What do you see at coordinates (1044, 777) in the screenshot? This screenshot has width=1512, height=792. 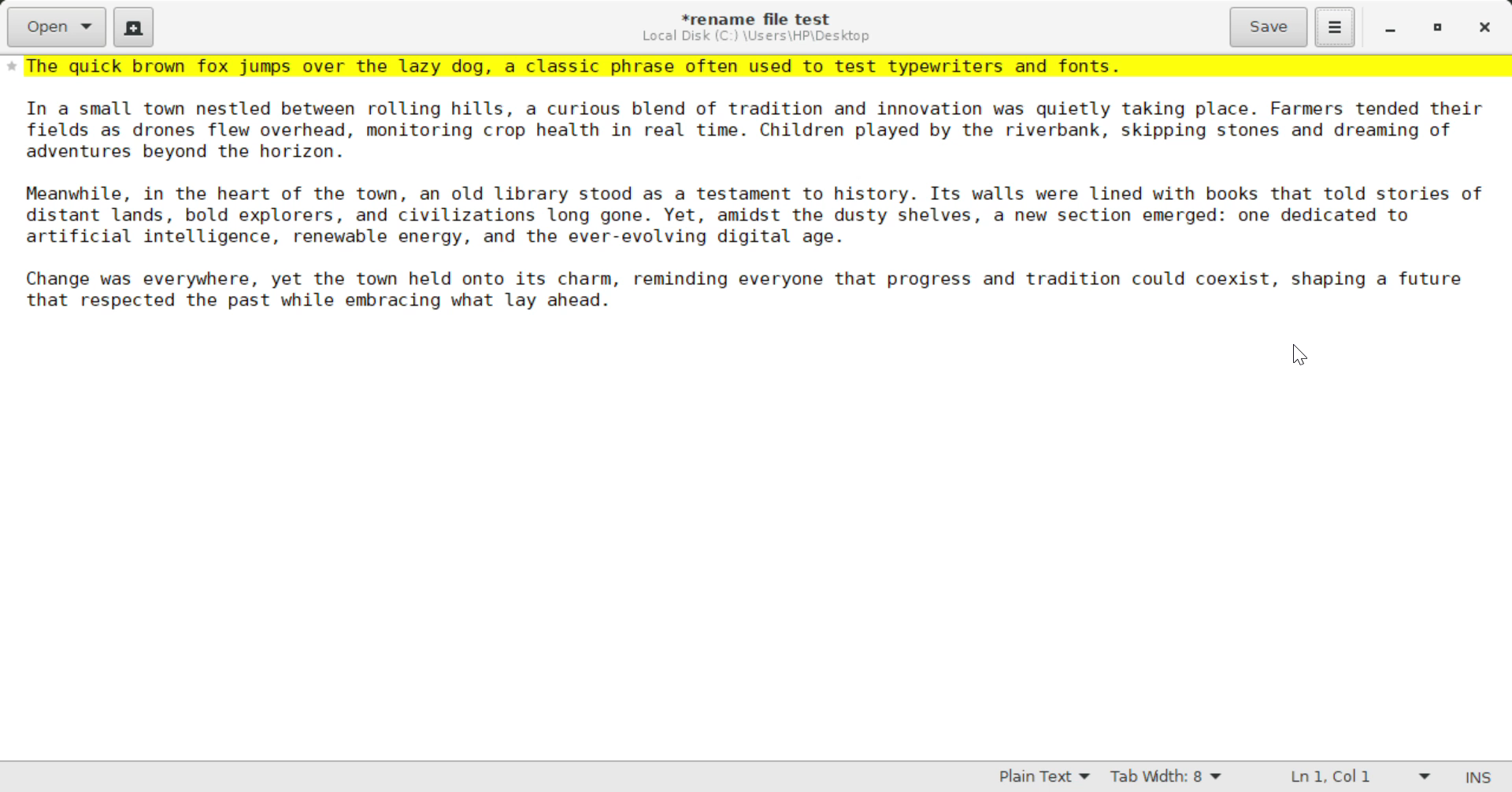 I see `Selected Language` at bounding box center [1044, 777].